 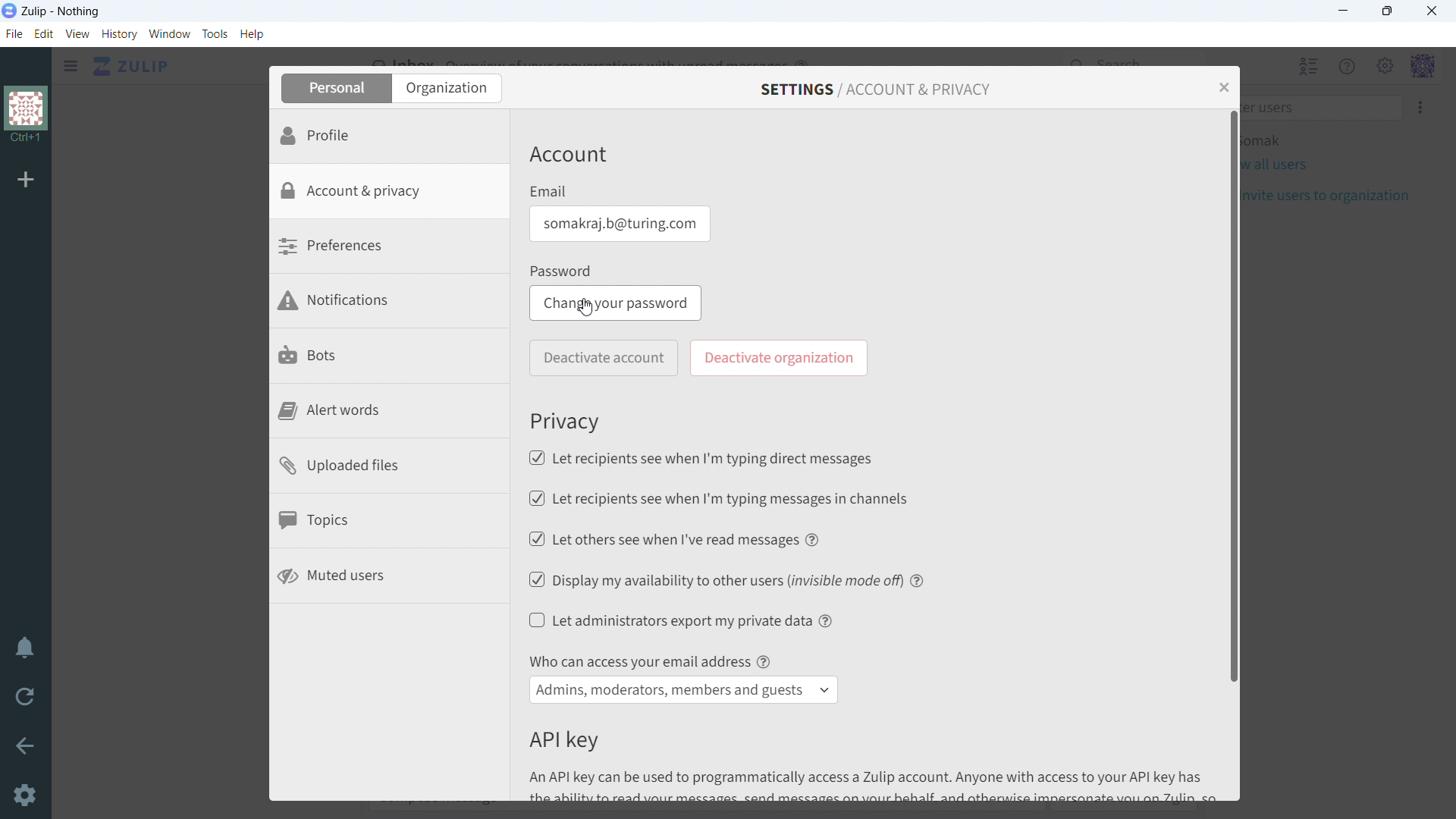 I want to click on muted users, so click(x=390, y=577).